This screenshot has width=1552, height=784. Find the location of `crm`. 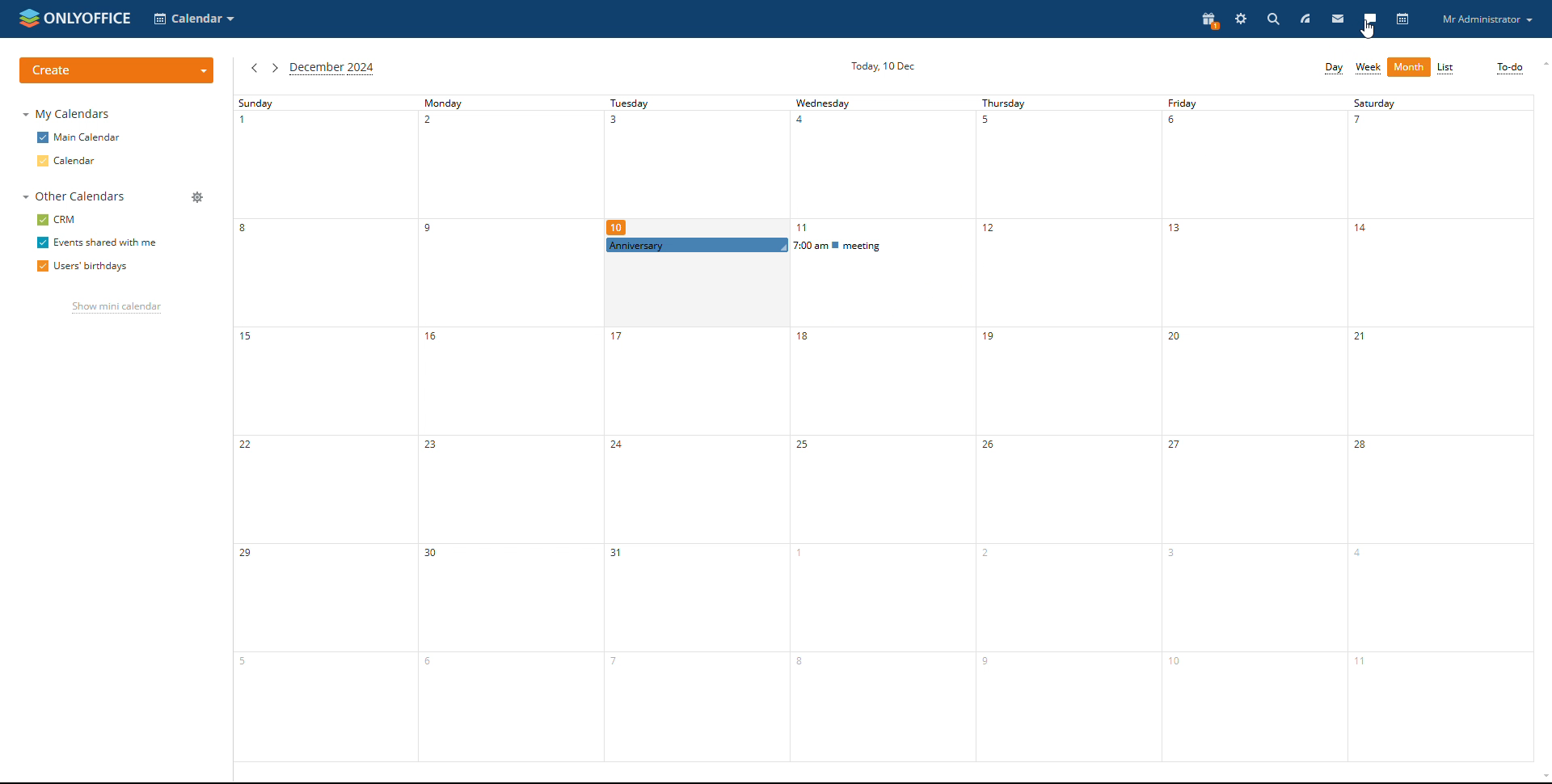

crm is located at coordinates (61, 220).